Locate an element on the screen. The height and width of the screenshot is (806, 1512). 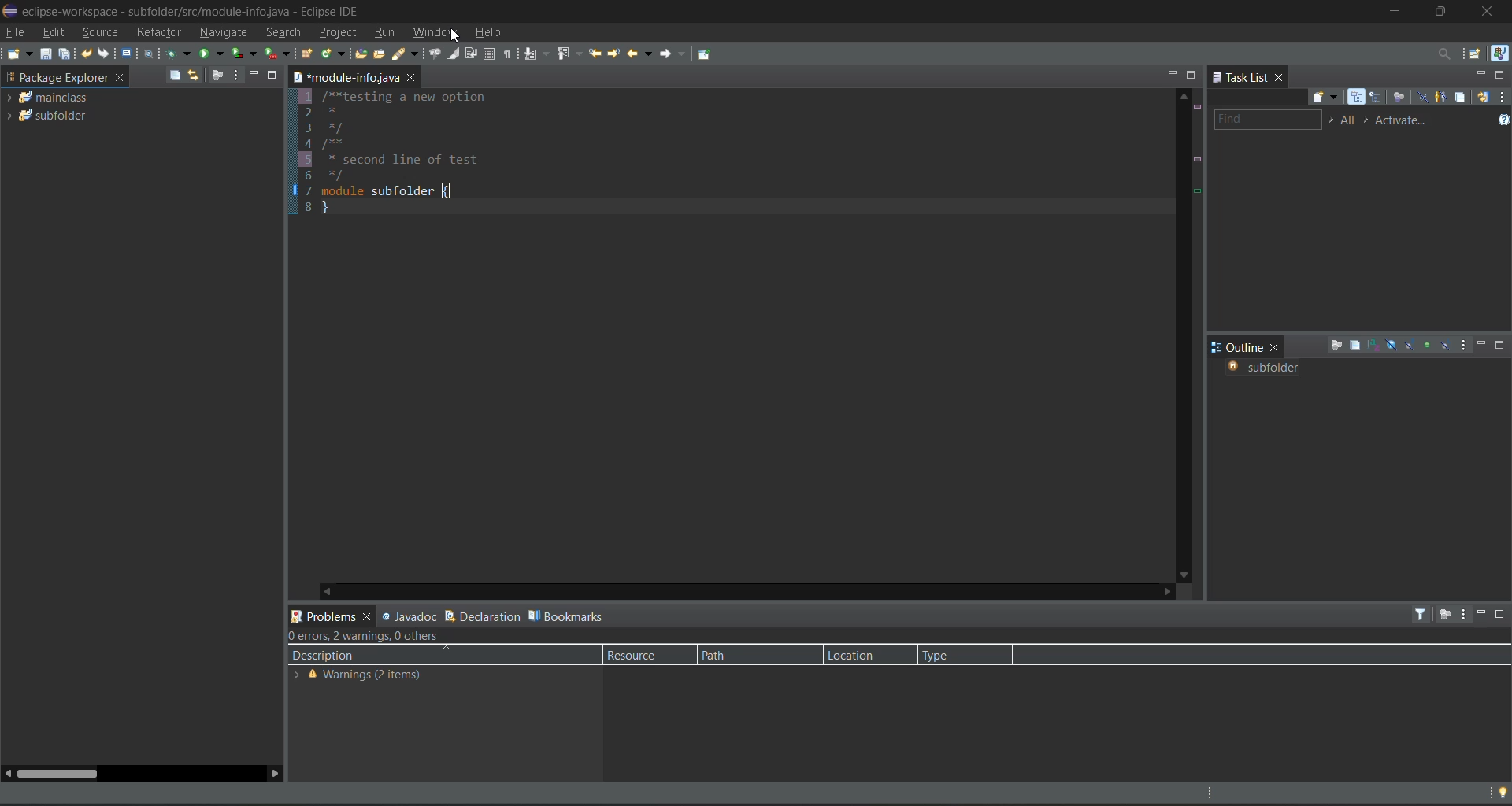
module info java is located at coordinates (348, 76).